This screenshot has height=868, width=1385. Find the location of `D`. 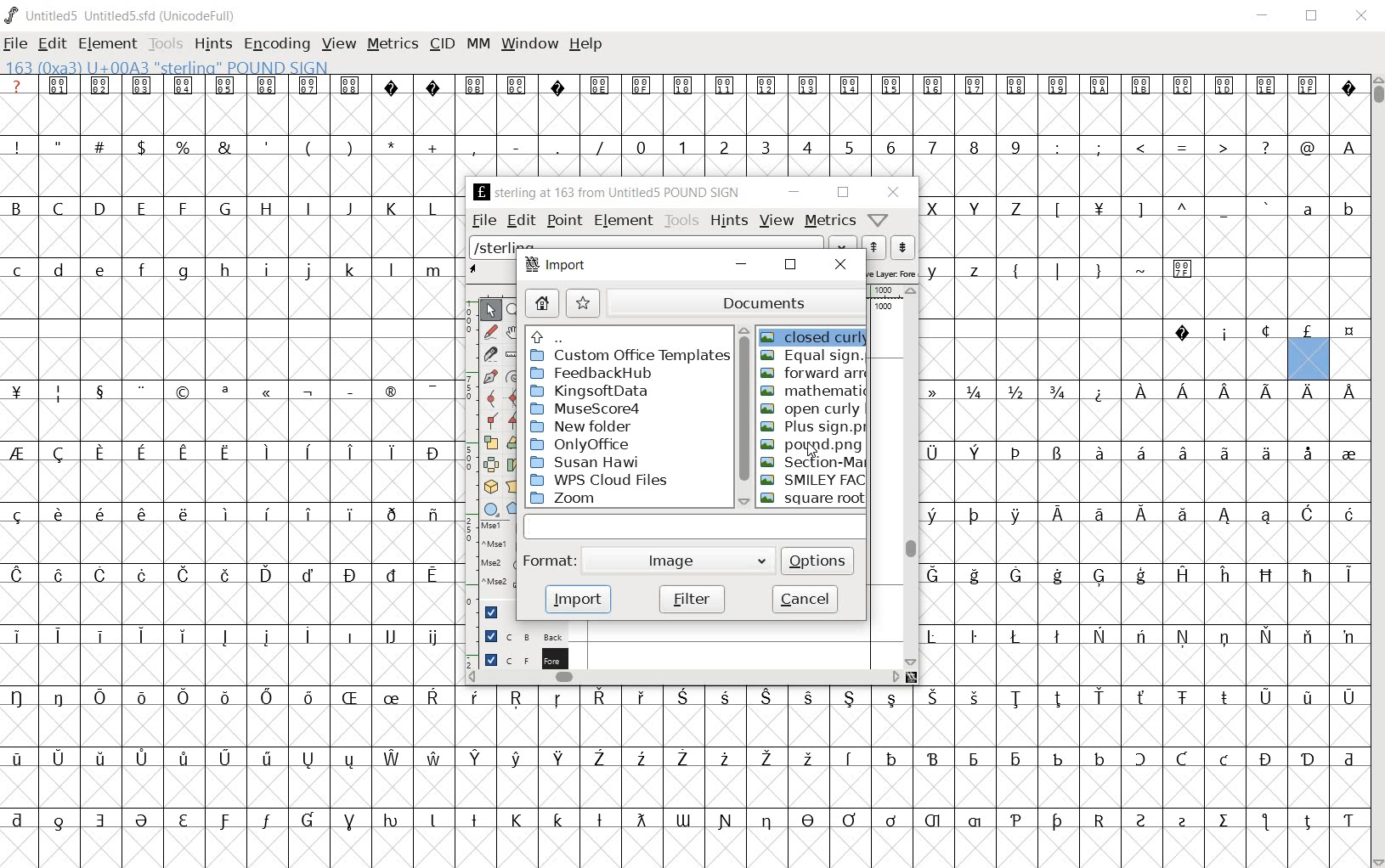

D is located at coordinates (99, 207).